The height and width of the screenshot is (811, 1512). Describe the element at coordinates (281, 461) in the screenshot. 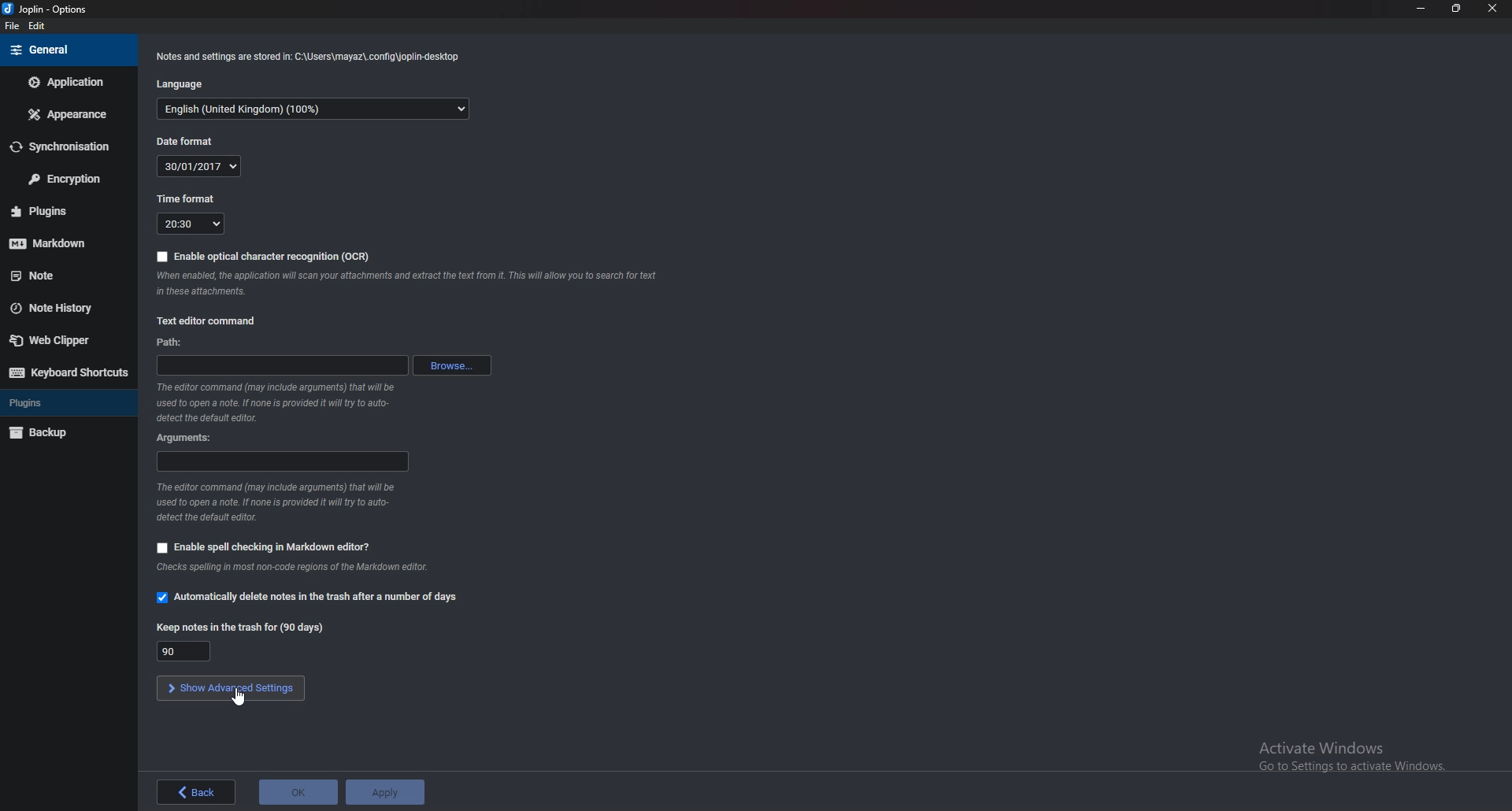

I see `arguments` at that location.